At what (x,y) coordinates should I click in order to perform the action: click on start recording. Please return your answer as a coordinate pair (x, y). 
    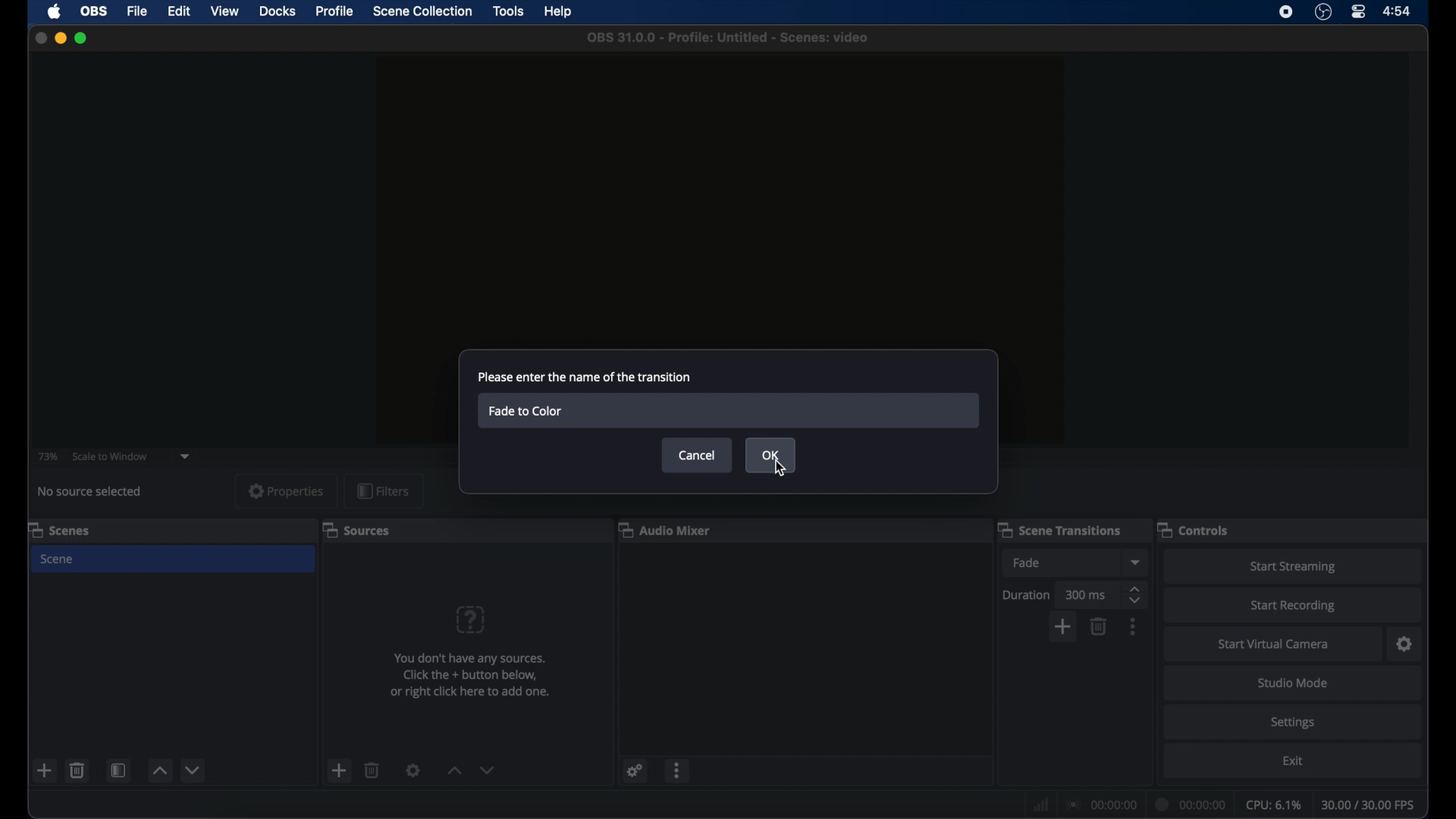
    Looking at the image, I should click on (1294, 607).